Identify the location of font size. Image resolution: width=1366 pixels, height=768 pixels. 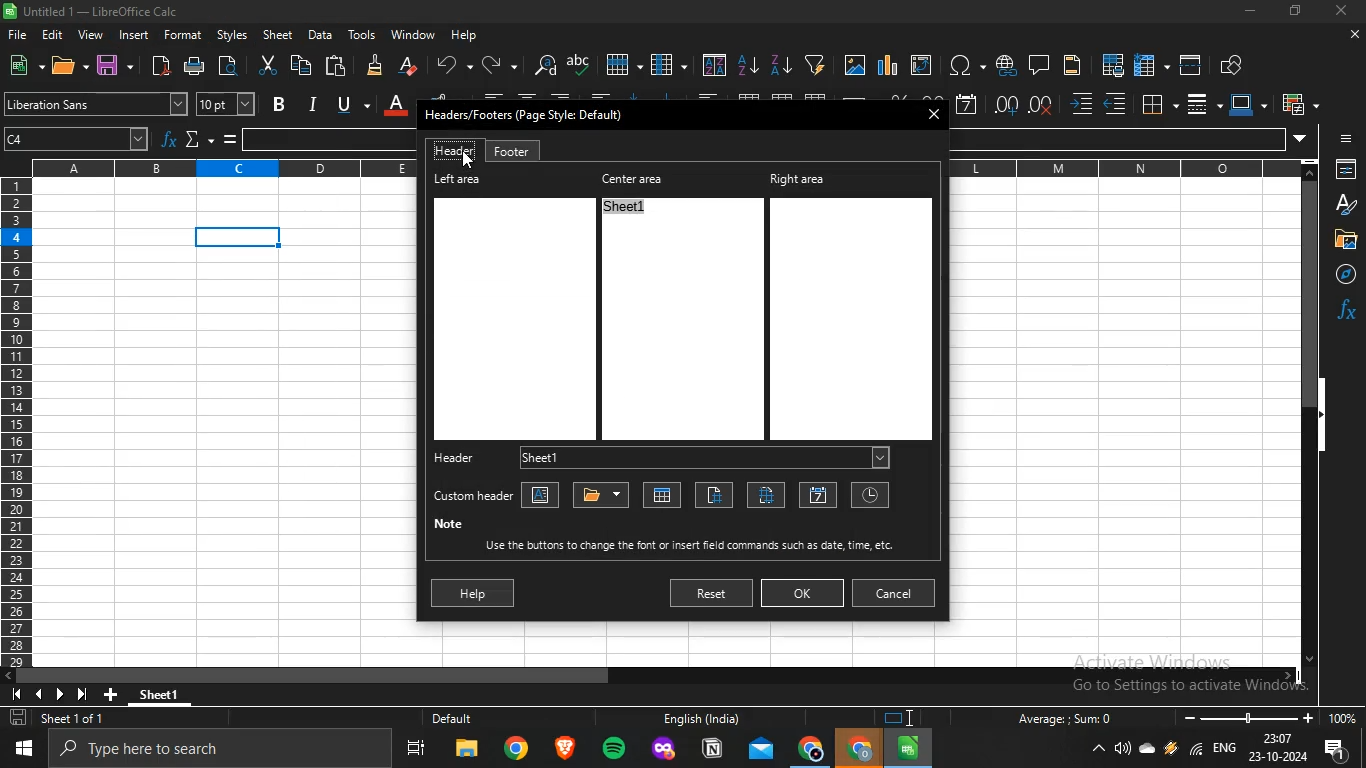
(224, 103).